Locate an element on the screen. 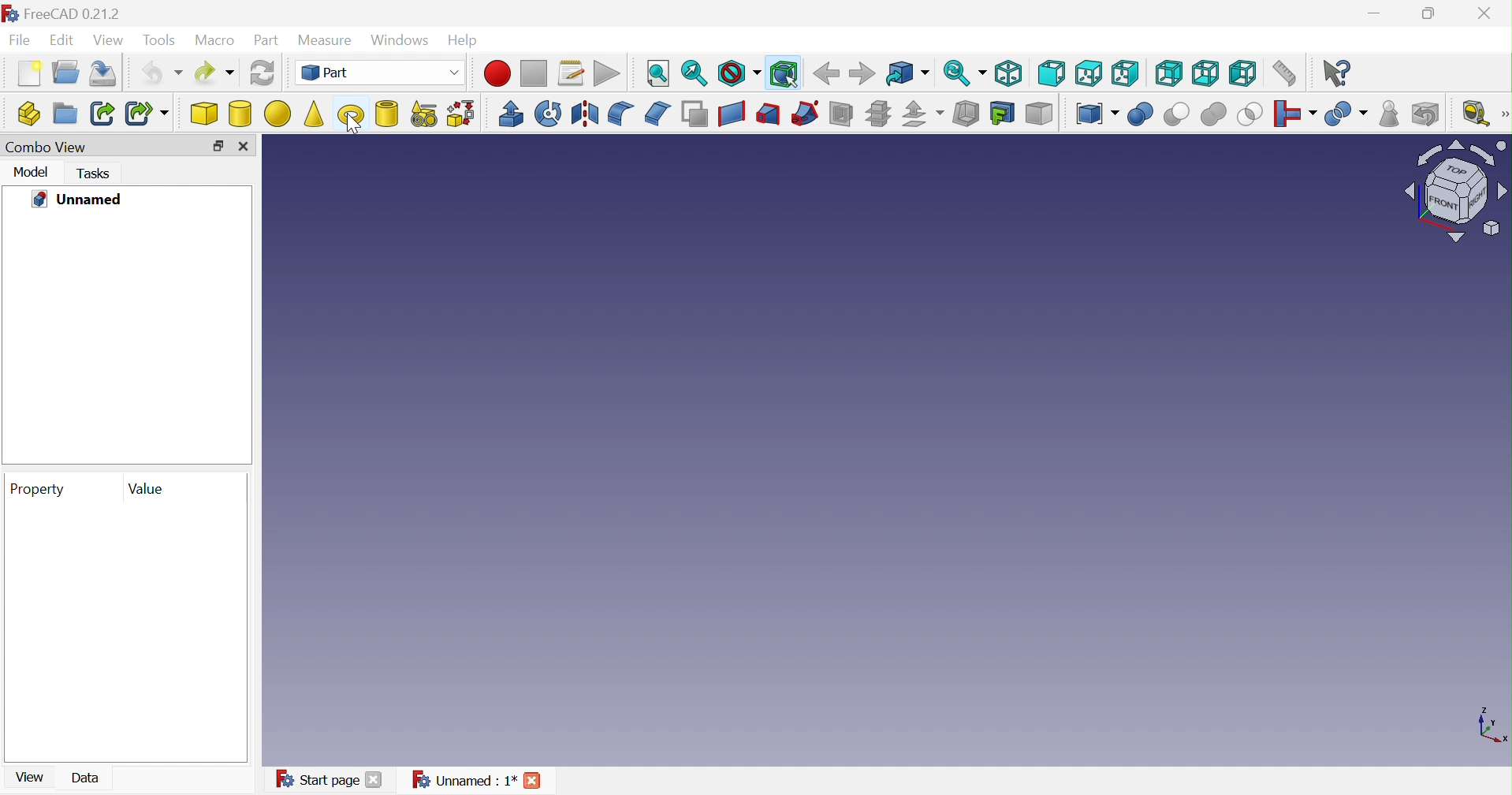 This screenshot has width=1512, height=795. Measure distance is located at coordinates (1289, 73).